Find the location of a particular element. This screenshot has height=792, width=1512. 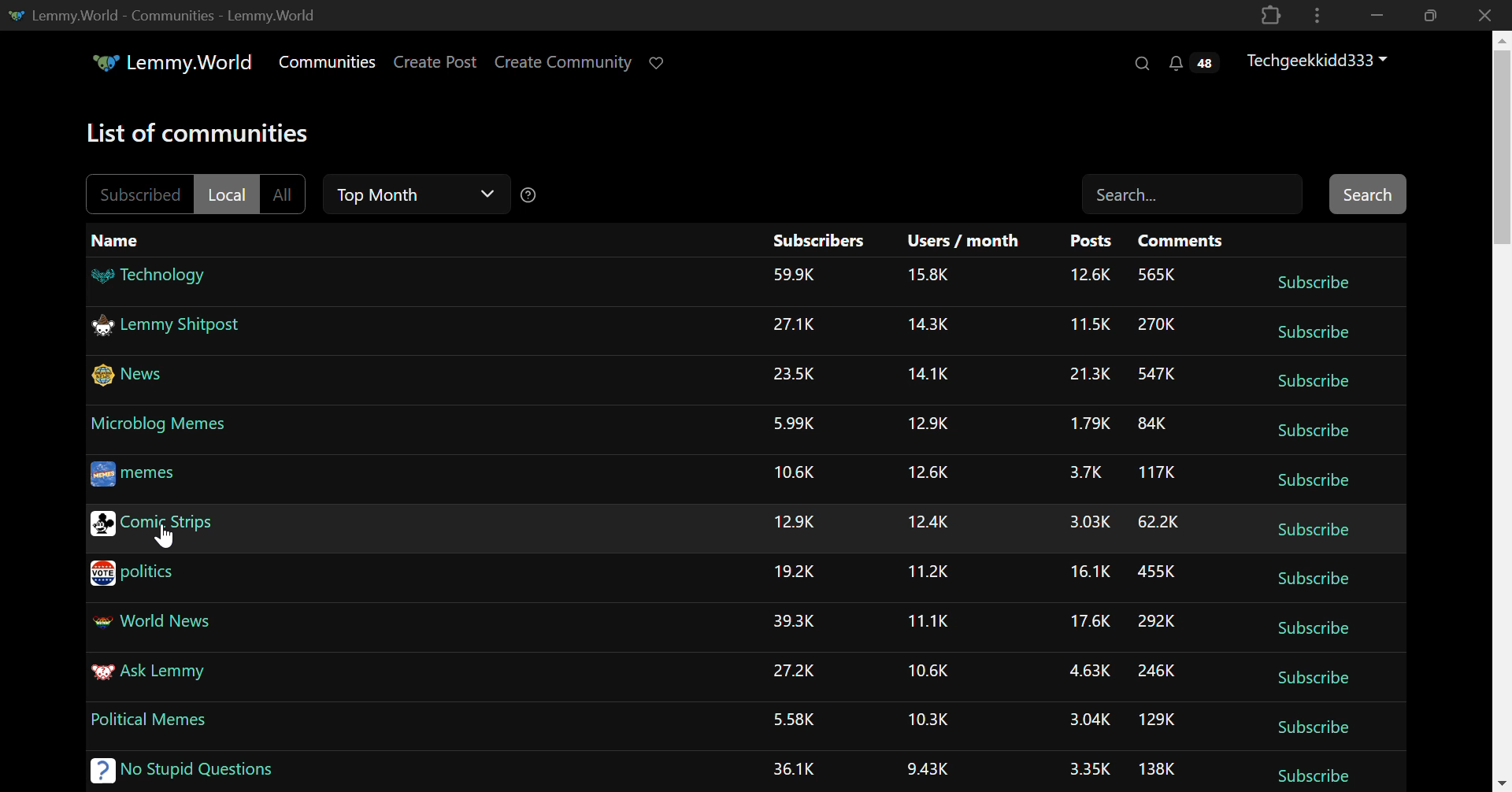

Subscribe is located at coordinates (1315, 383).